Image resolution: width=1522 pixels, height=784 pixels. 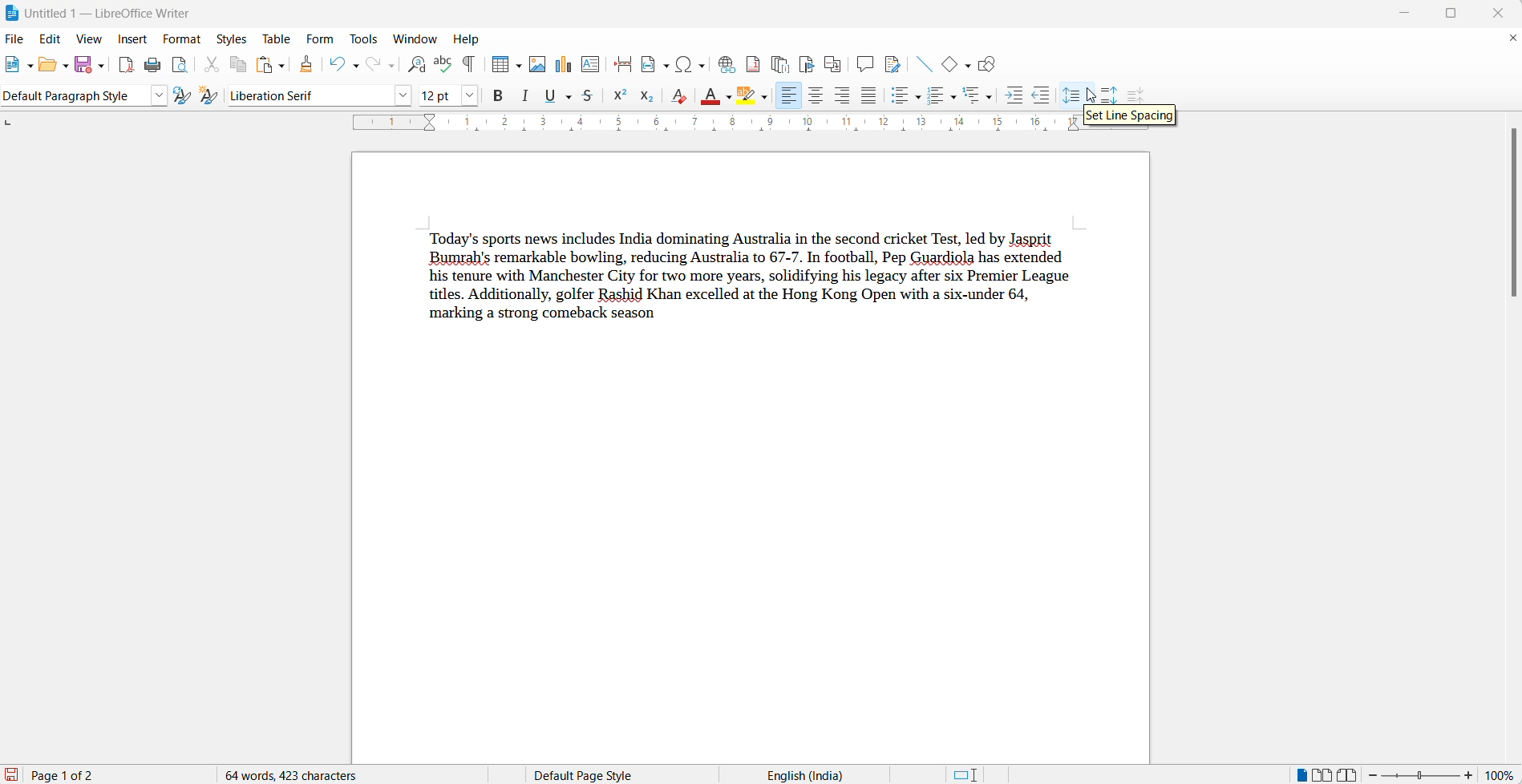 I want to click on insert comments, so click(x=864, y=63).